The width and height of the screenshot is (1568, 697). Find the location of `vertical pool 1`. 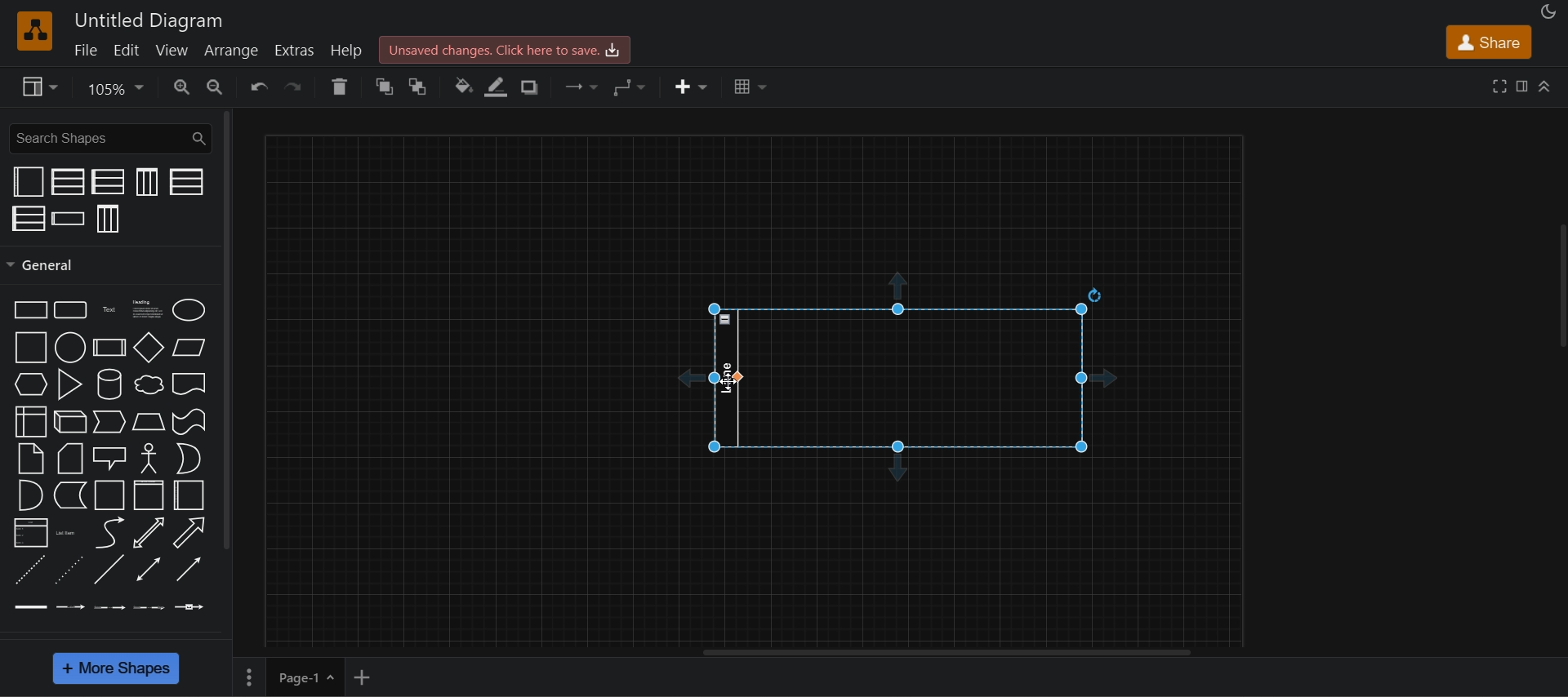

vertical pool 1 is located at coordinates (145, 182).